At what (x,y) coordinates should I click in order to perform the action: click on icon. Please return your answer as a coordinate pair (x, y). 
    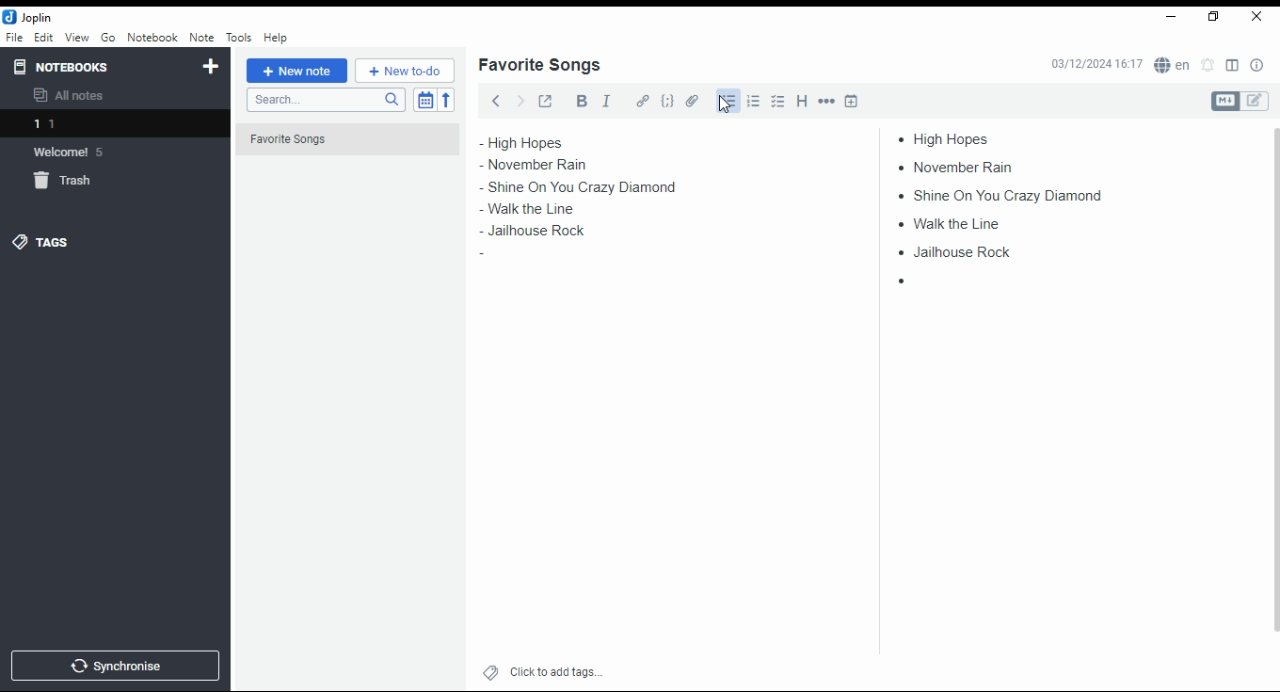
    Looking at the image, I should click on (30, 17).